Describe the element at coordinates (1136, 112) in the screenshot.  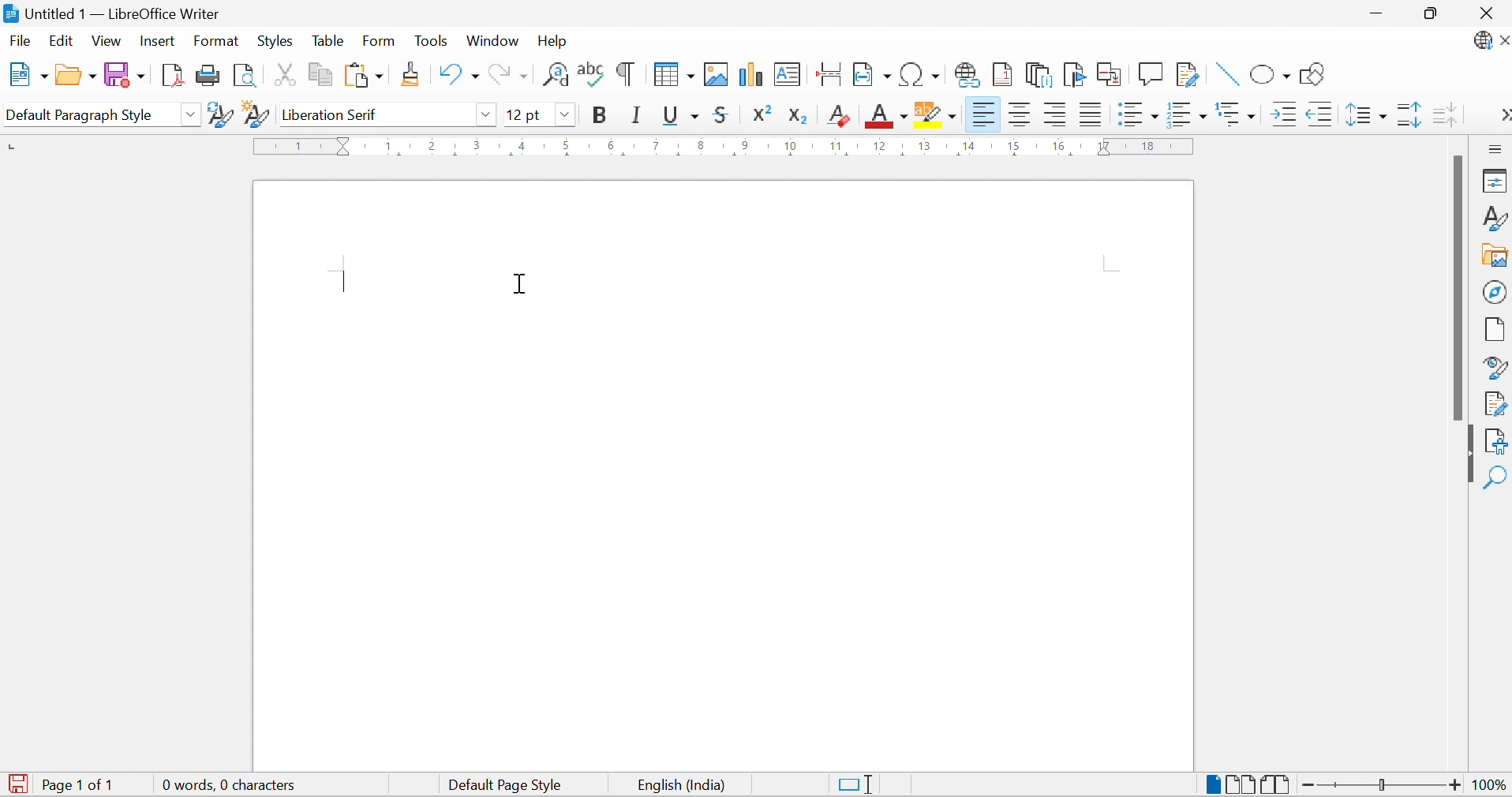
I see `Toggle Unordered List` at that location.